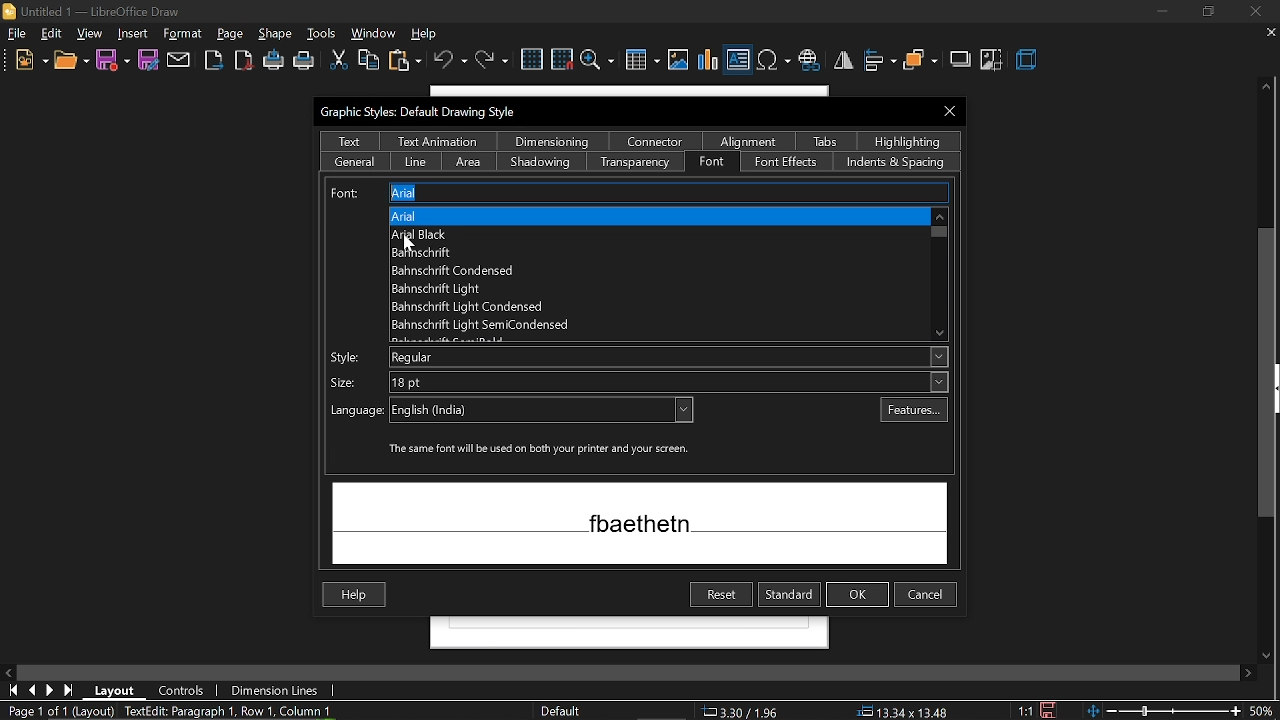 Image resolution: width=1280 pixels, height=720 pixels. Describe the element at coordinates (70, 61) in the screenshot. I see `open` at that location.